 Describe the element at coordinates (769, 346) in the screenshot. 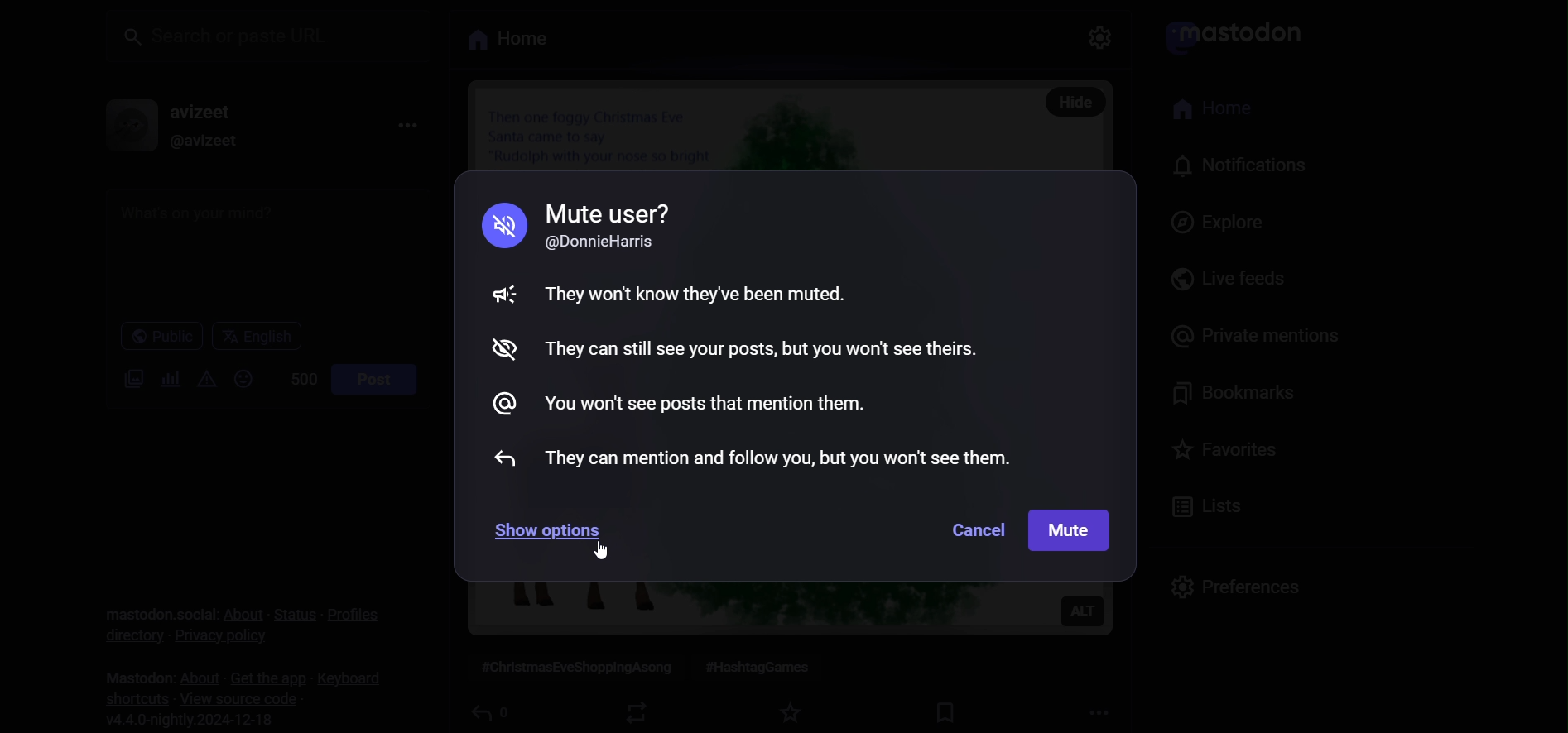

I see `They can still see your posts, but you won't see theirs.` at that location.